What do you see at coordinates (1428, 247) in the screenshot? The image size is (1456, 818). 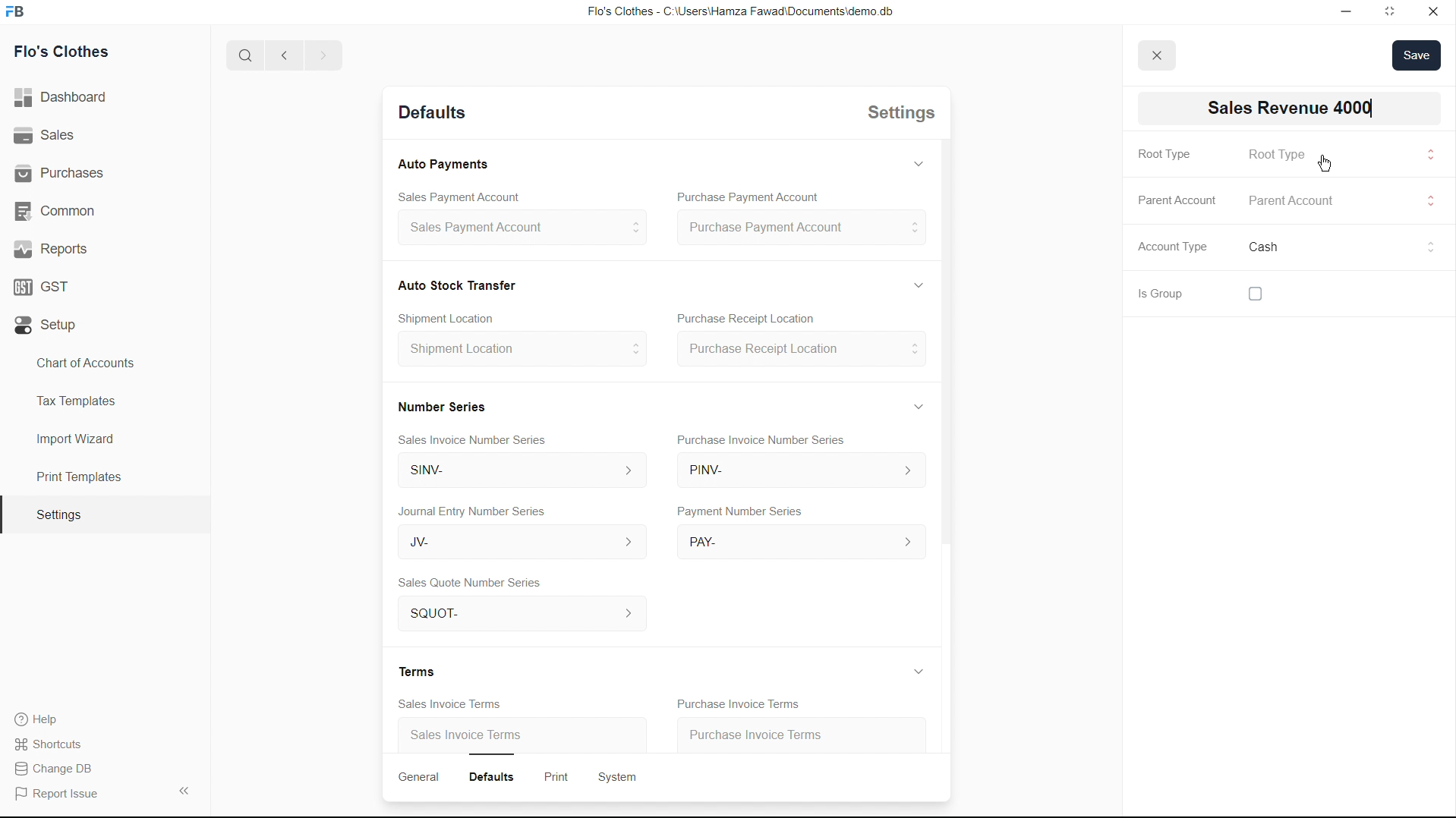 I see `` at bounding box center [1428, 247].